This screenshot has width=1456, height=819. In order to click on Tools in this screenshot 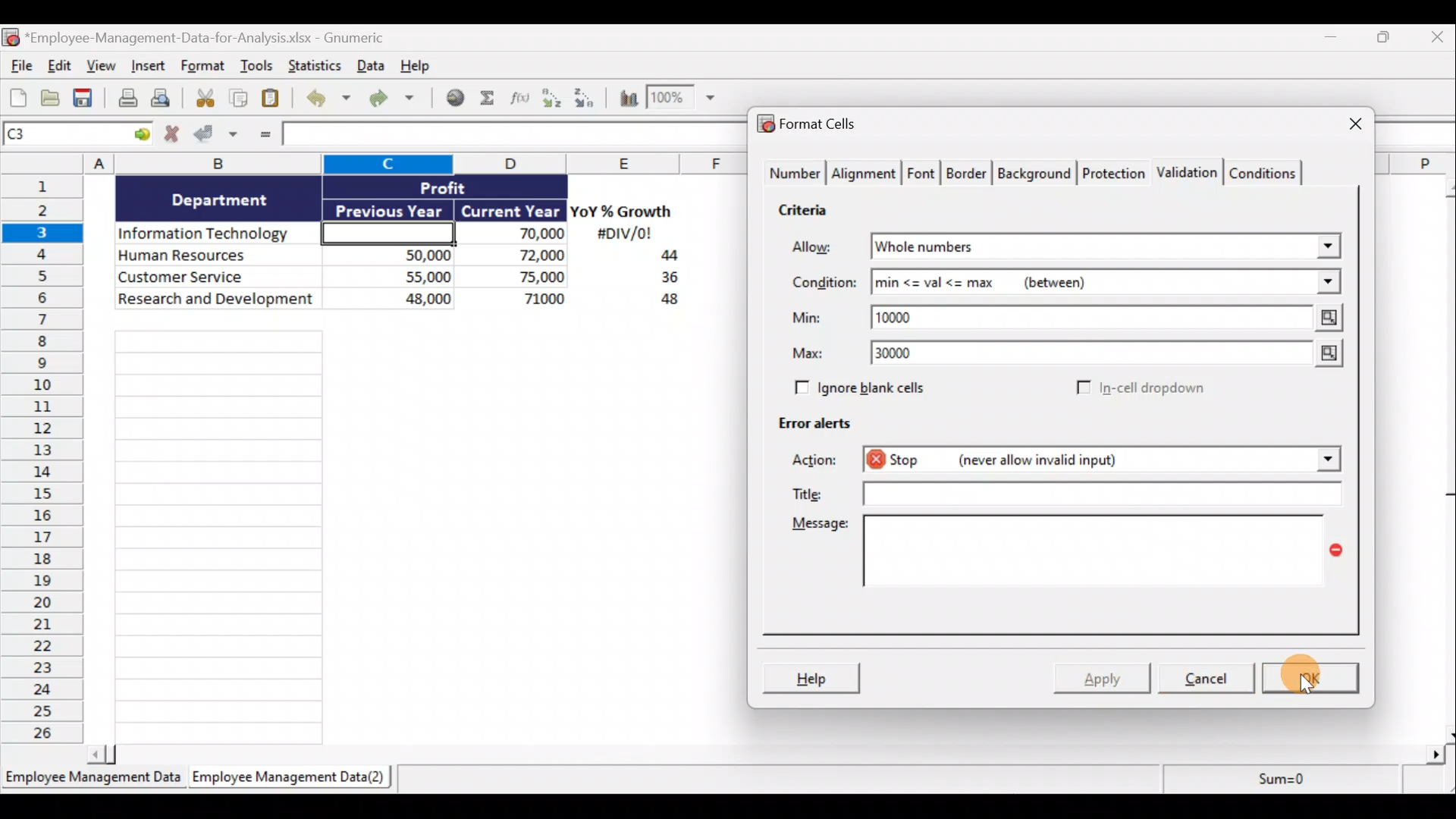, I will do `click(257, 67)`.